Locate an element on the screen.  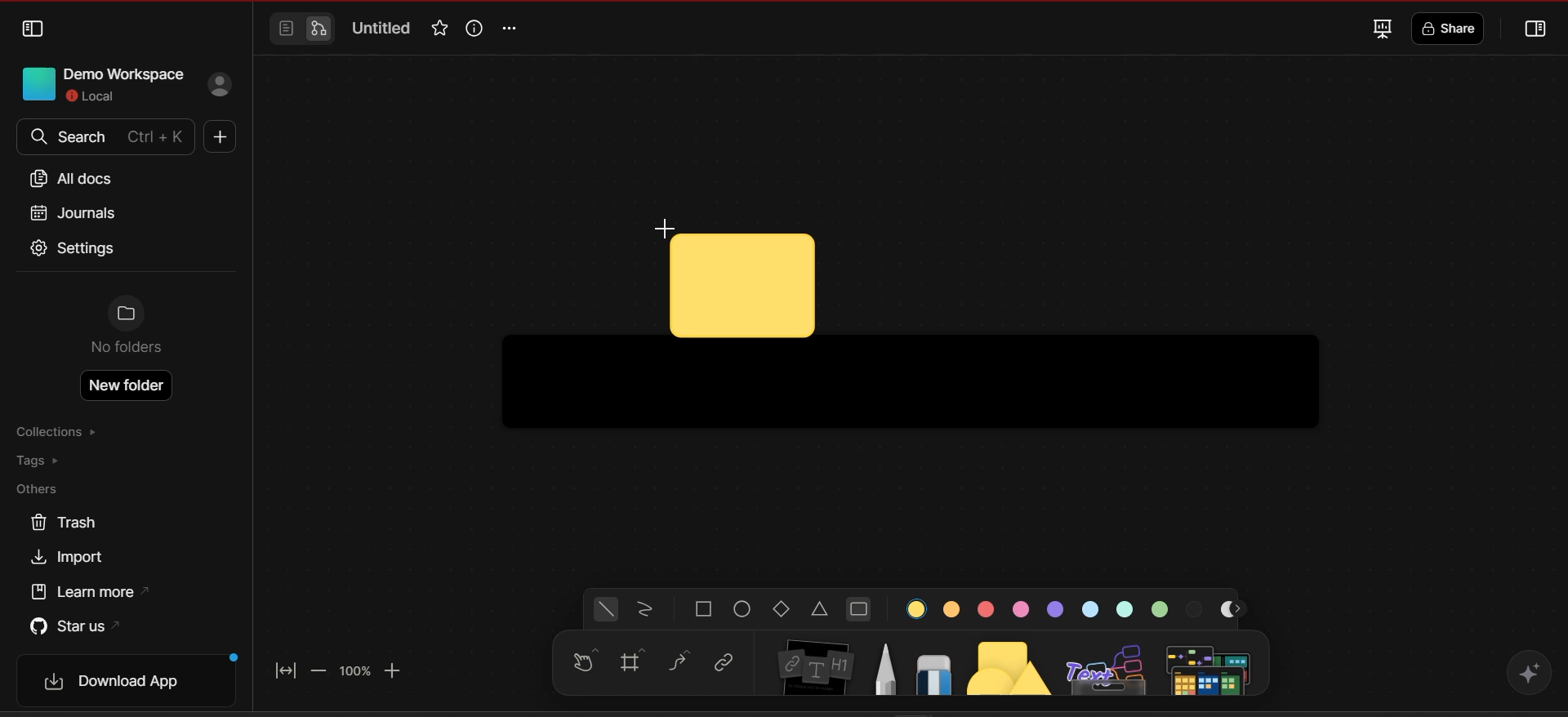
Untitled is located at coordinates (382, 29).